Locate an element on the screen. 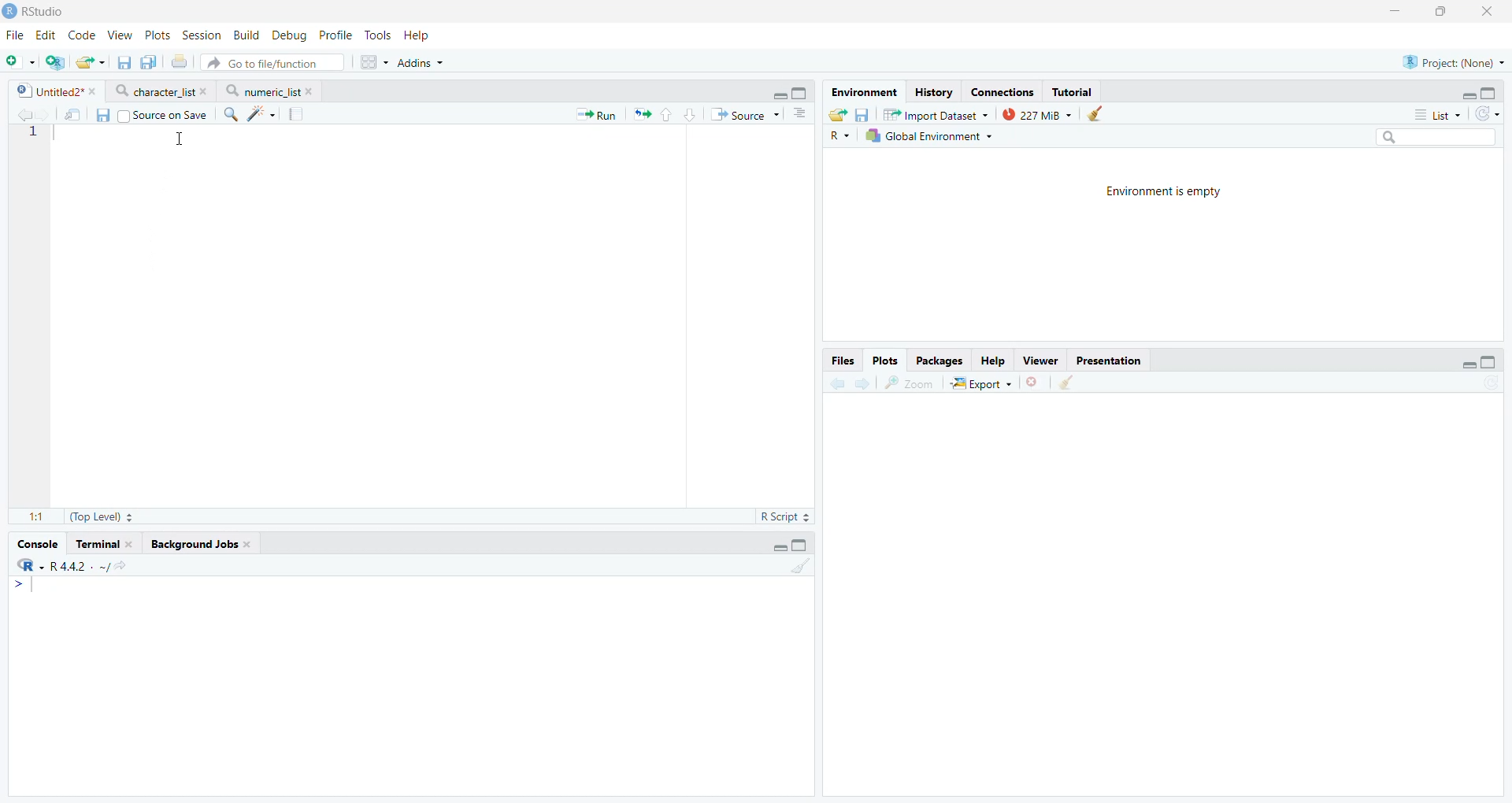 This screenshot has width=1512, height=803. Line numbers is located at coordinates (31, 134).